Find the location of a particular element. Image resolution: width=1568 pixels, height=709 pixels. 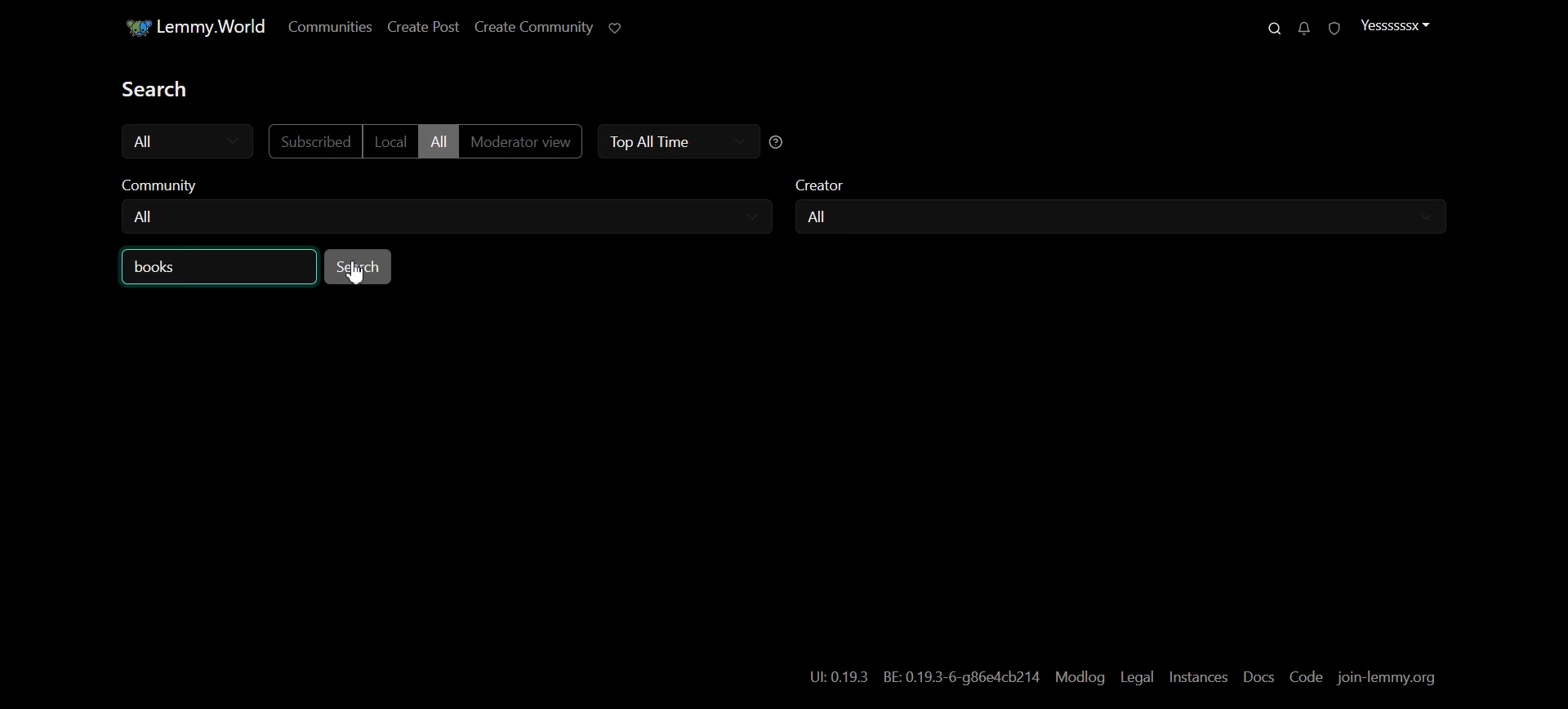

Subscribed is located at coordinates (312, 142).